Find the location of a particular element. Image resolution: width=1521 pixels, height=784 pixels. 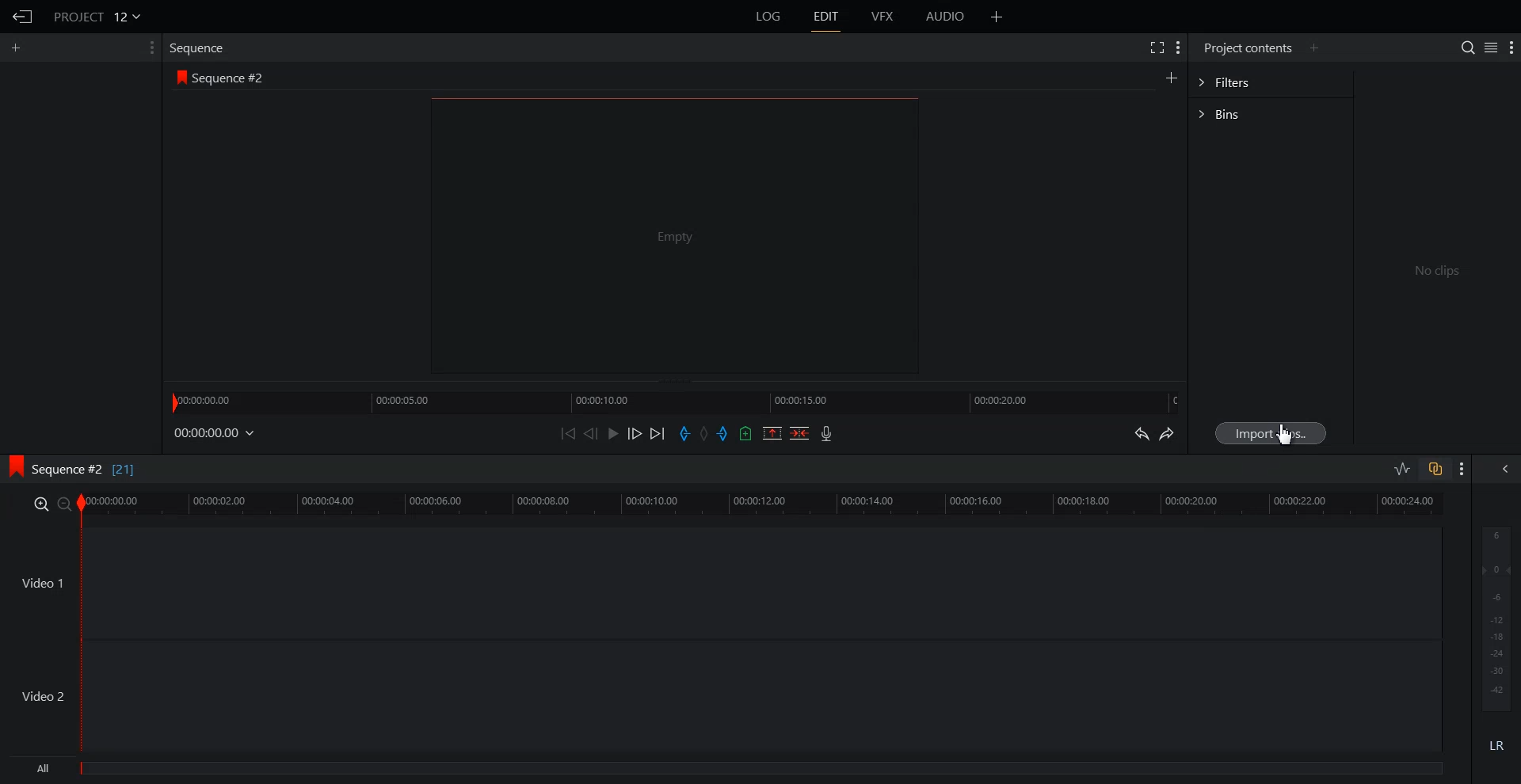

Audio Output level is located at coordinates (1494, 618).